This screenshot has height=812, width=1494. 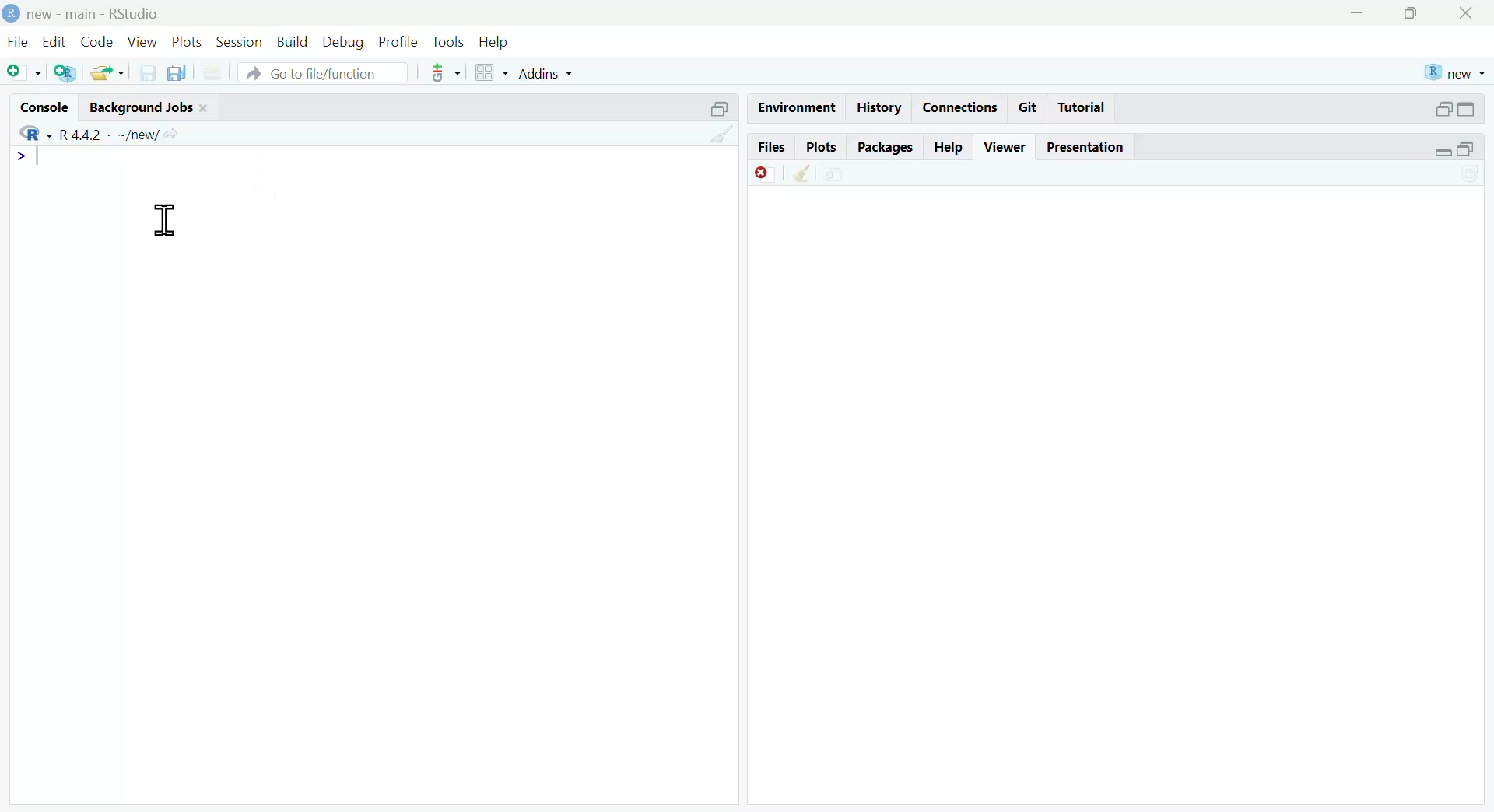 I want to click on Environment, so click(x=791, y=104).